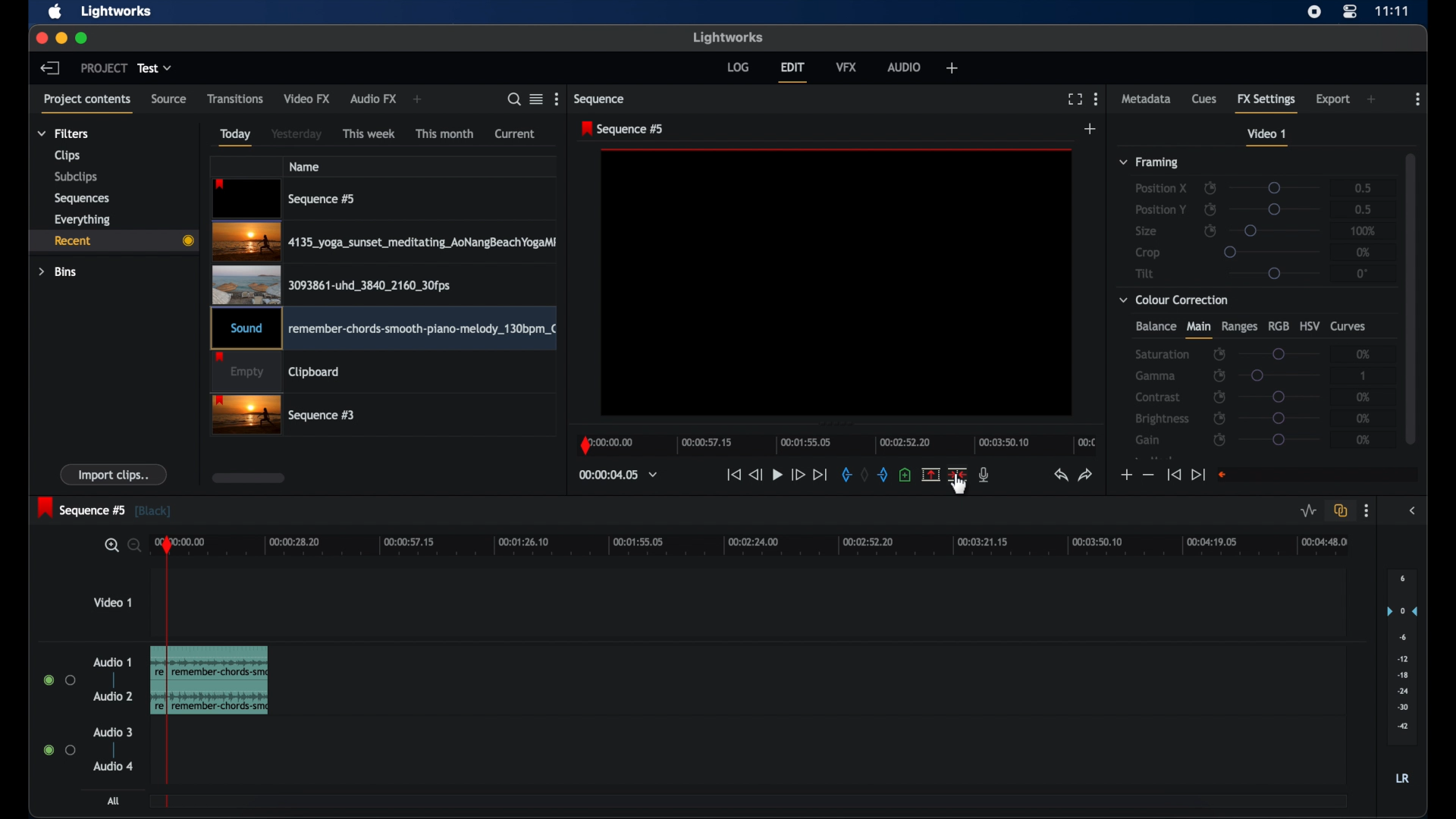 Image resolution: width=1456 pixels, height=819 pixels. What do you see at coordinates (50, 68) in the screenshot?
I see `back` at bounding box center [50, 68].